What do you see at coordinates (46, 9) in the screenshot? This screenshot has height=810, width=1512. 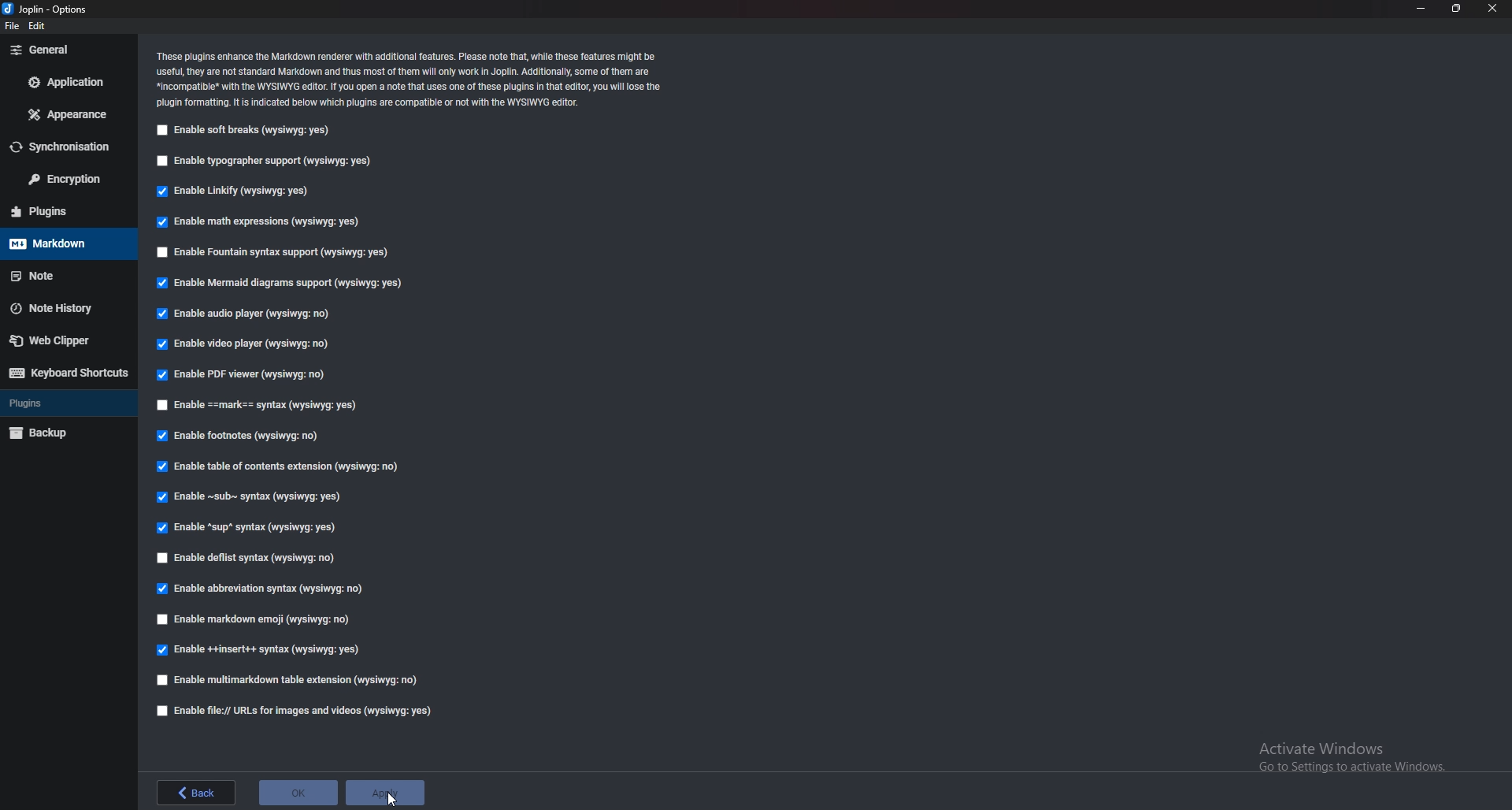 I see `options` at bounding box center [46, 9].